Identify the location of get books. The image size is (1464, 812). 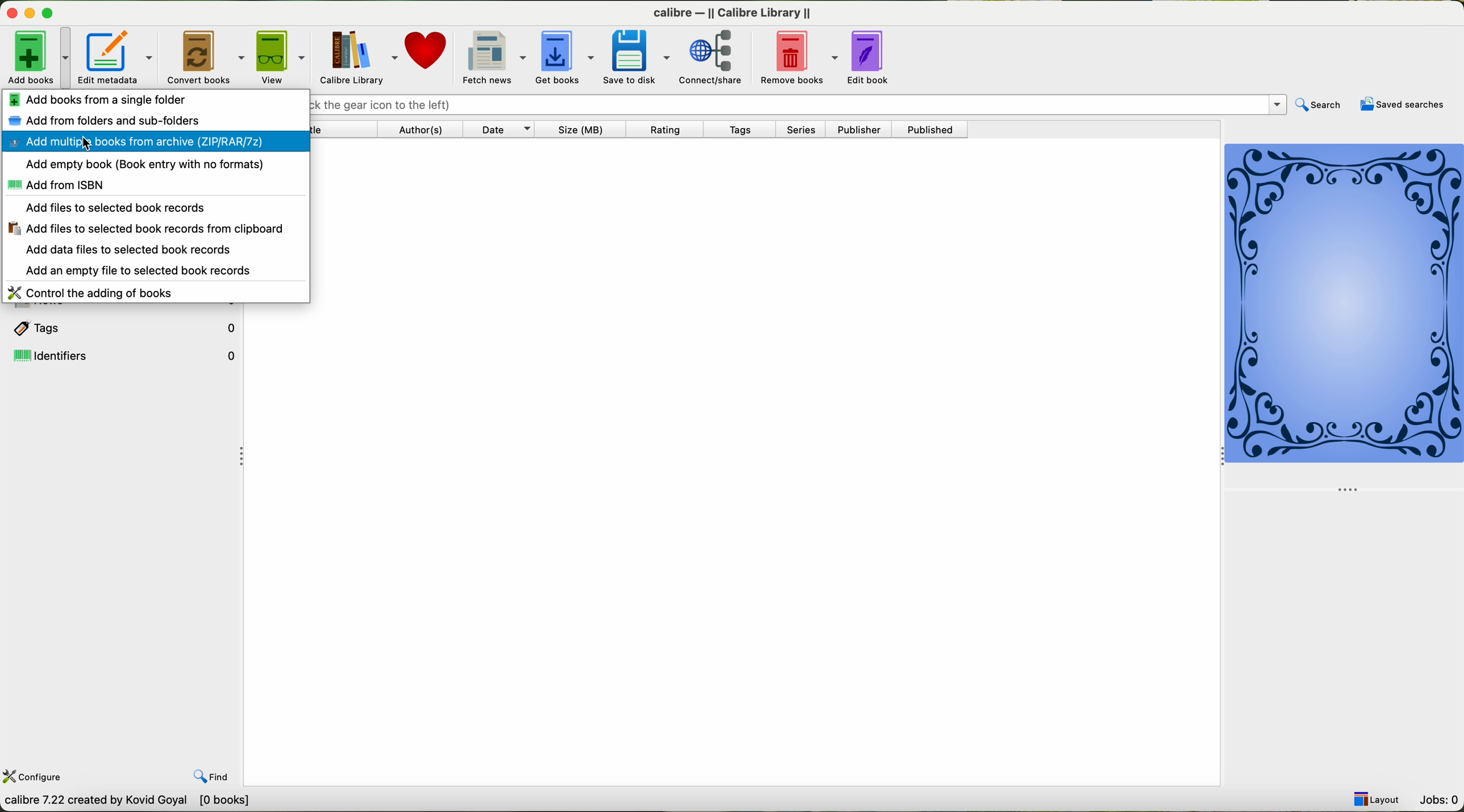
(564, 57).